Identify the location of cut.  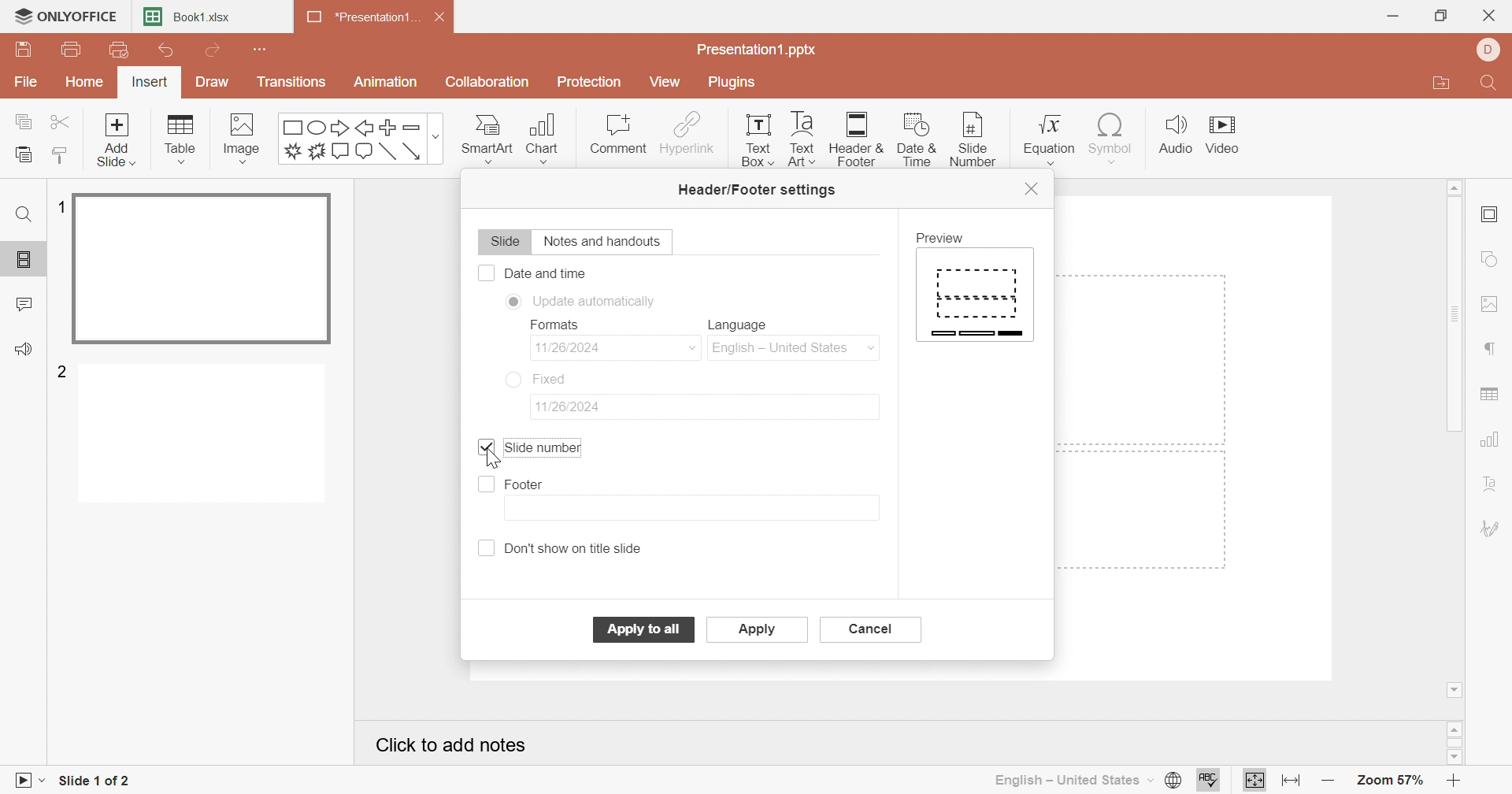
(63, 121).